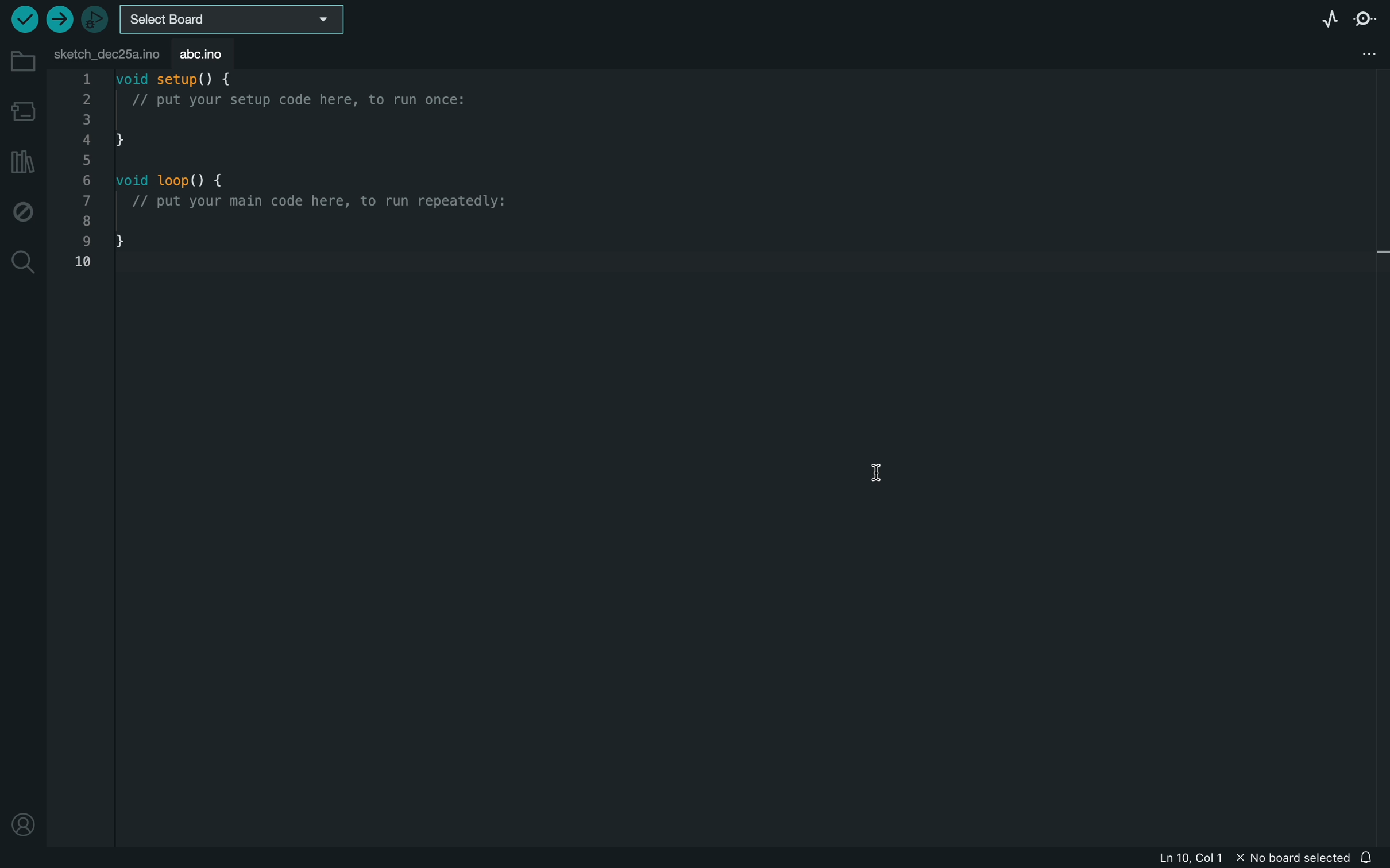  I want to click on verify, so click(22, 20).